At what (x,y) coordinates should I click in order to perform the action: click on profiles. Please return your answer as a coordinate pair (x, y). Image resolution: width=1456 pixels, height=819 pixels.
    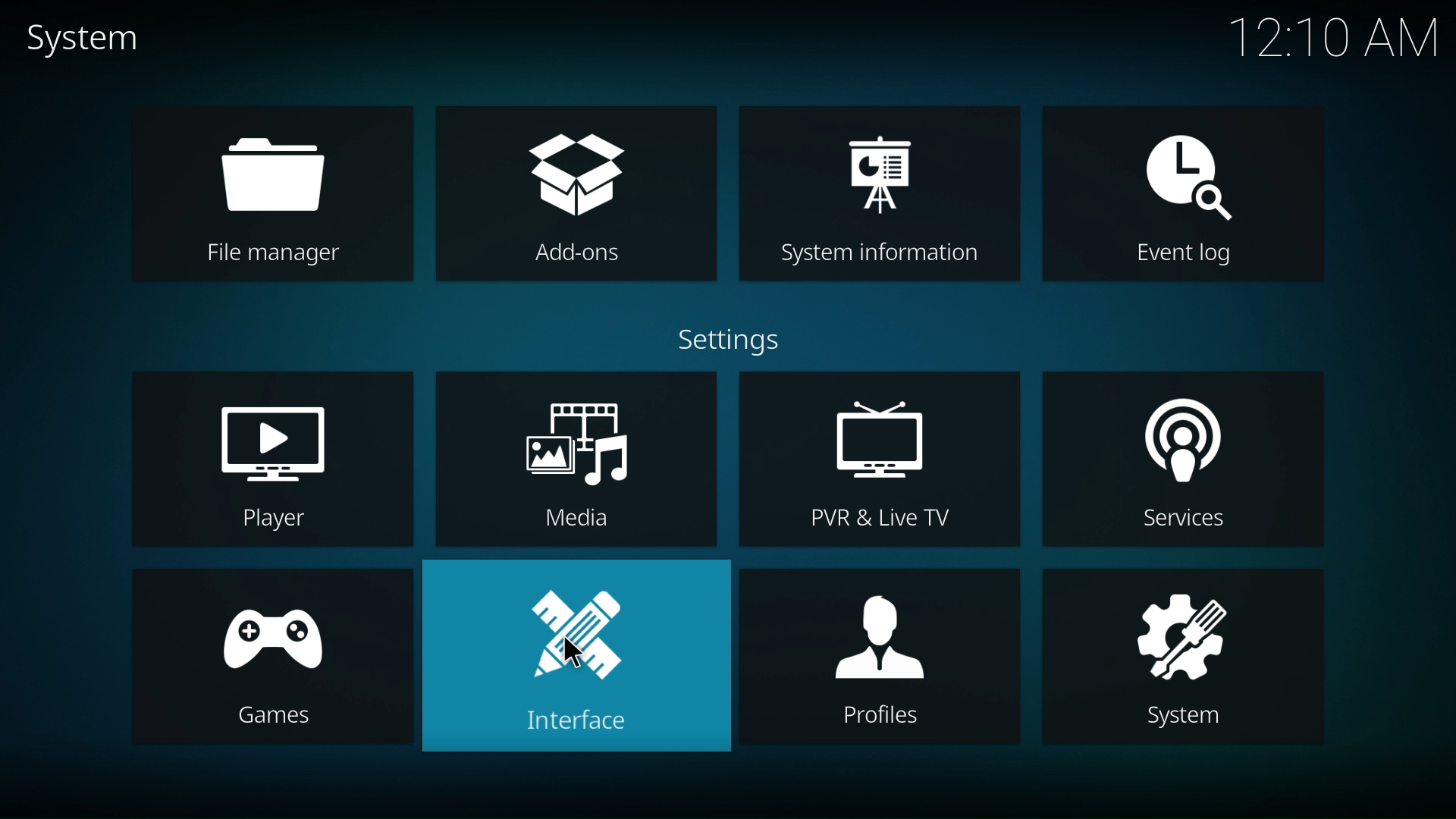
    Looking at the image, I should click on (877, 659).